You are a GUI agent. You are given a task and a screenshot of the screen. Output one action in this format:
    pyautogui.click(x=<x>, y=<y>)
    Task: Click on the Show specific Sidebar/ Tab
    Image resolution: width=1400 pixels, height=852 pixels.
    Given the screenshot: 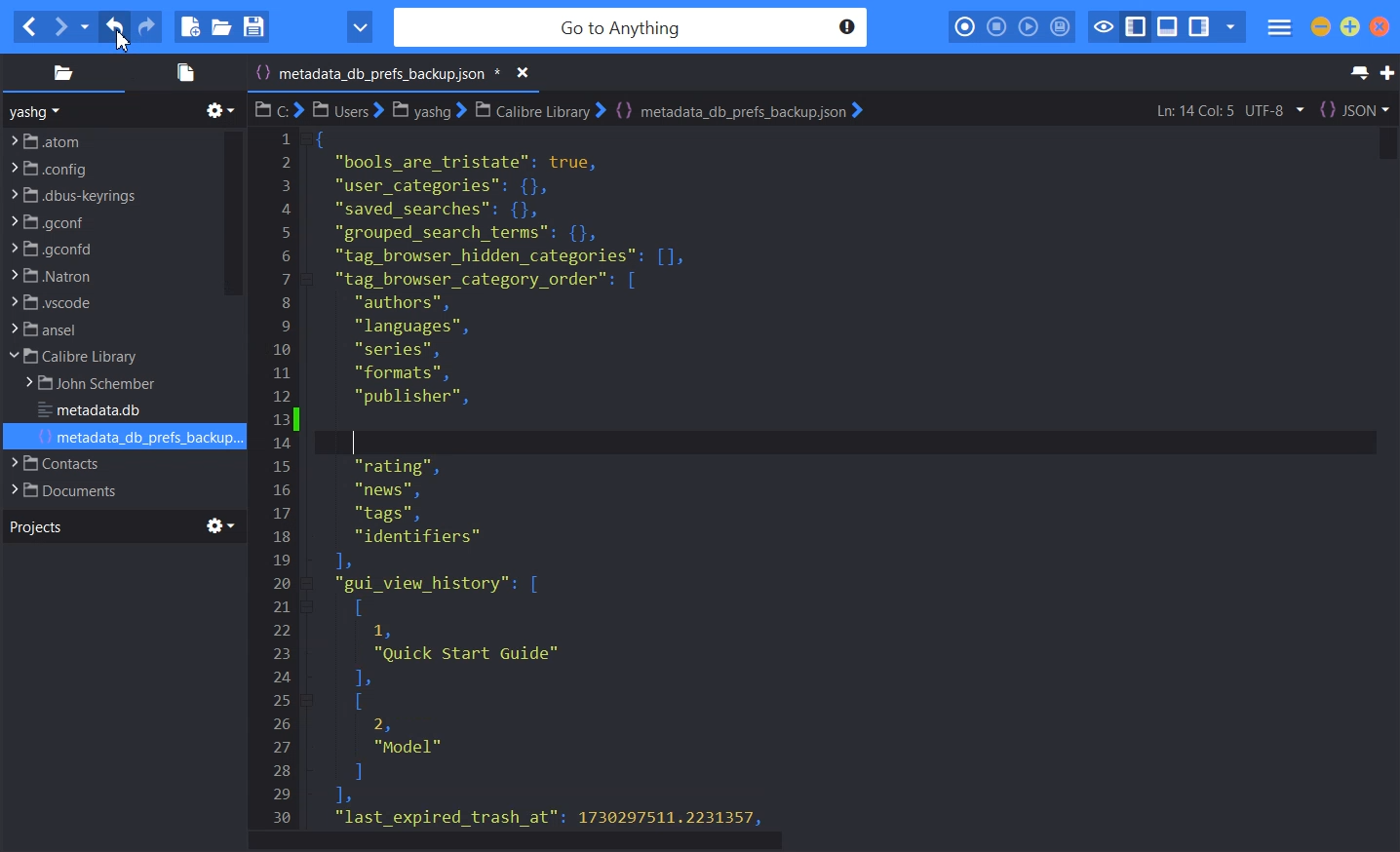 What is the action you would take?
    pyautogui.click(x=1230, y=27)
    